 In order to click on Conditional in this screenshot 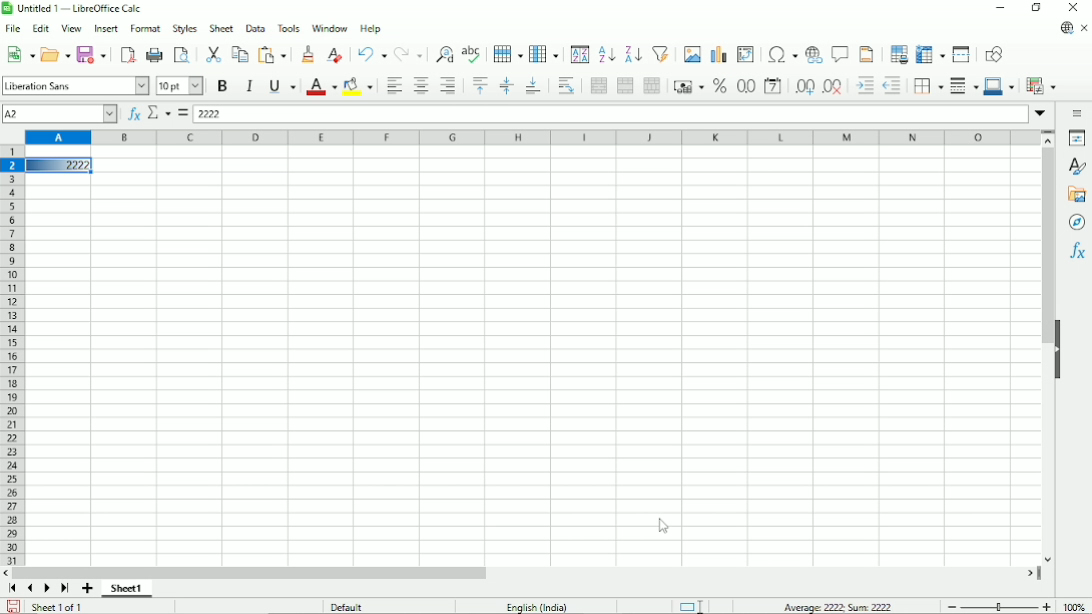, I will do `click(1040, 86)`.